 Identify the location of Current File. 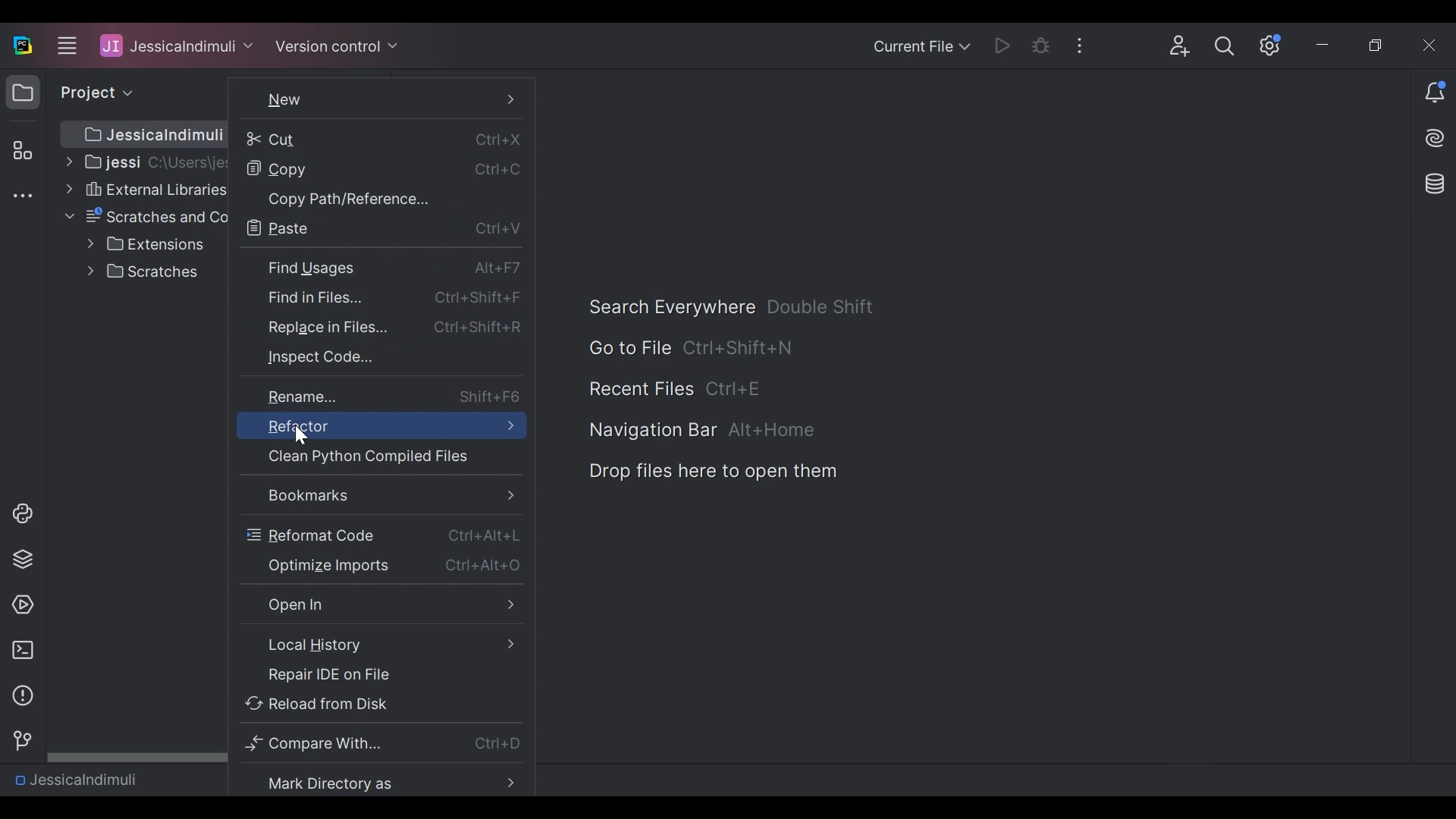
(921, 48).